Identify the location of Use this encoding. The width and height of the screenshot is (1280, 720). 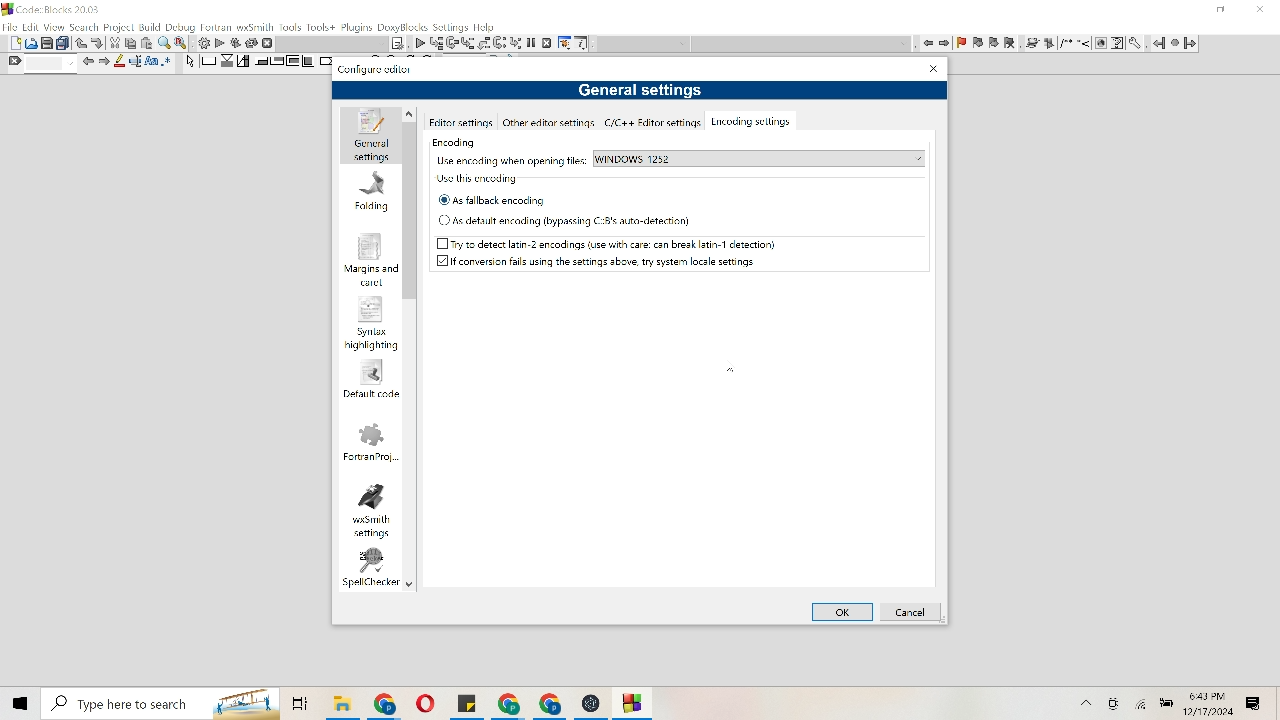
(478, 179).